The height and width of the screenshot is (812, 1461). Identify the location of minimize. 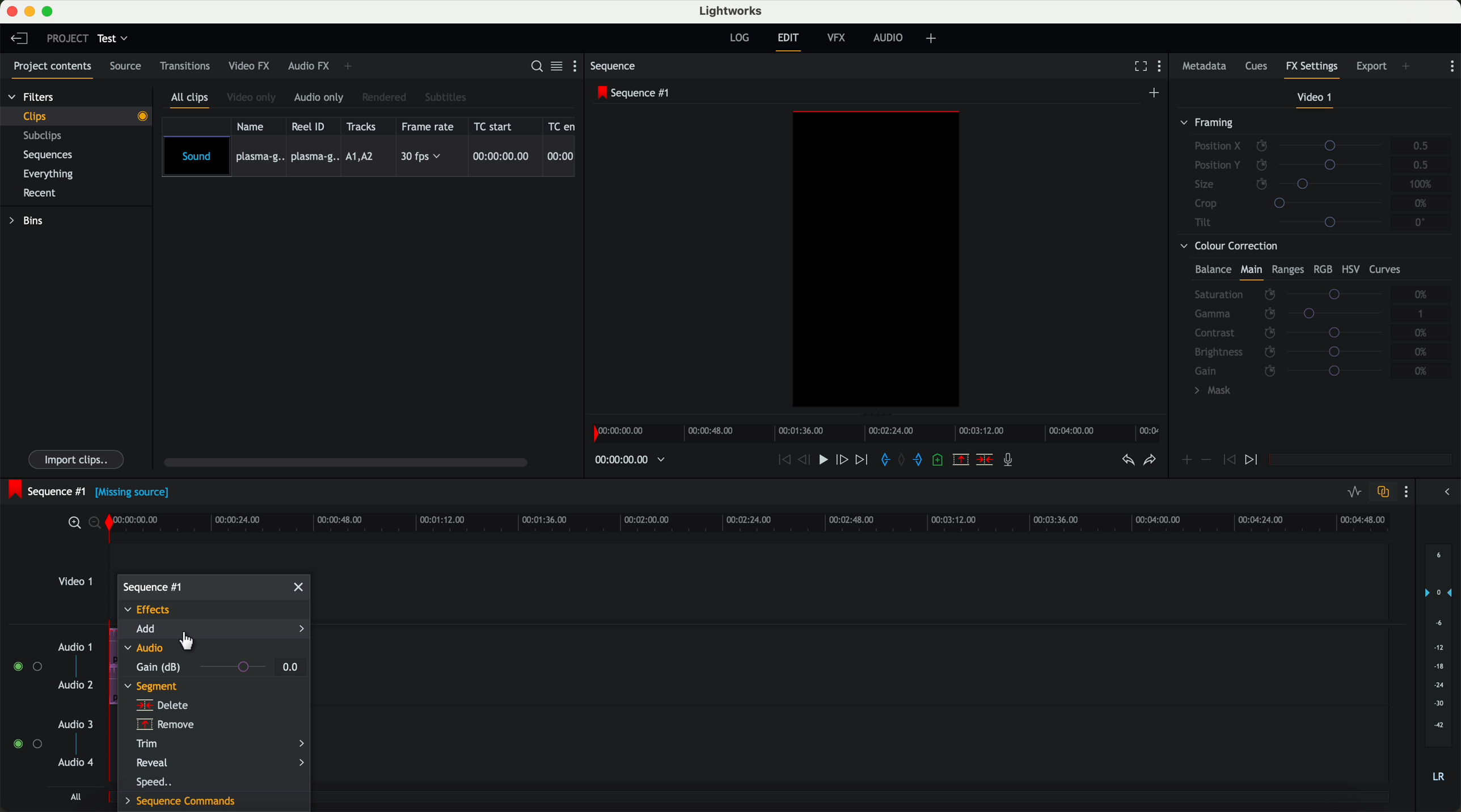
(29, 12).